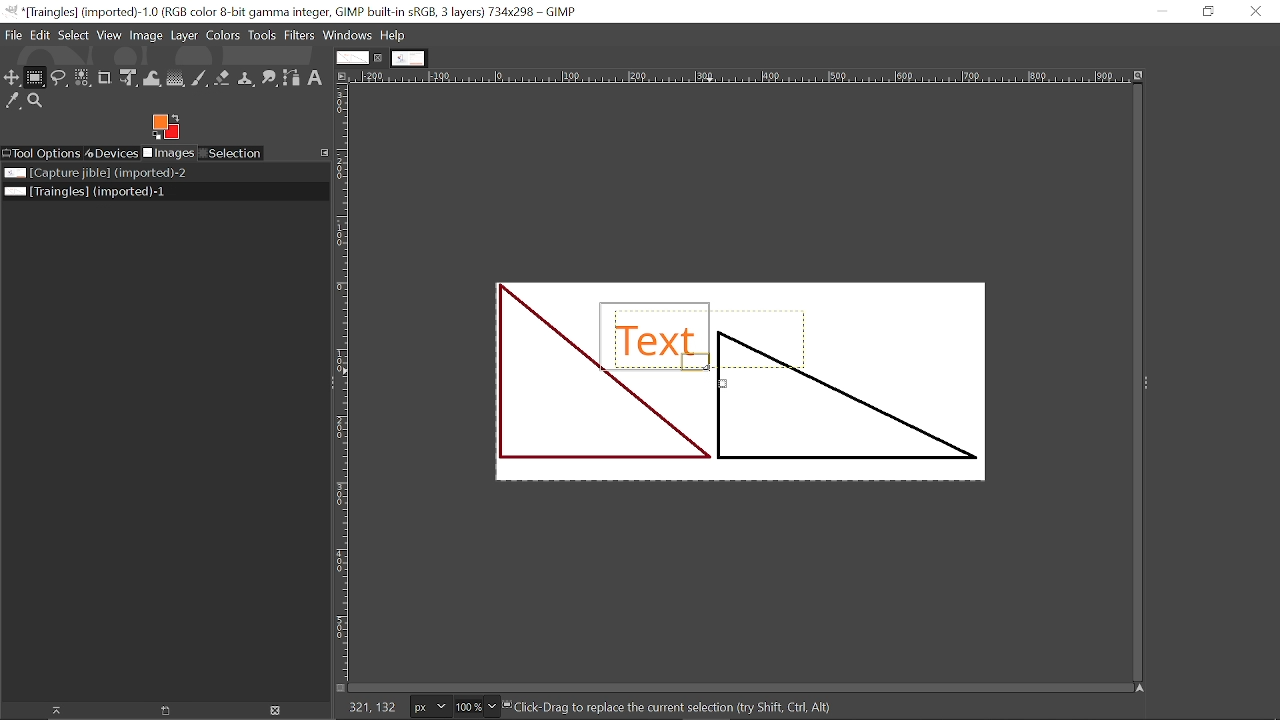 The width and height of the screenshot is (1280, 720). What do you see at coordinates (408, 58) in the screenshot?
I see `Other tab` at bounding box center [408, 58].